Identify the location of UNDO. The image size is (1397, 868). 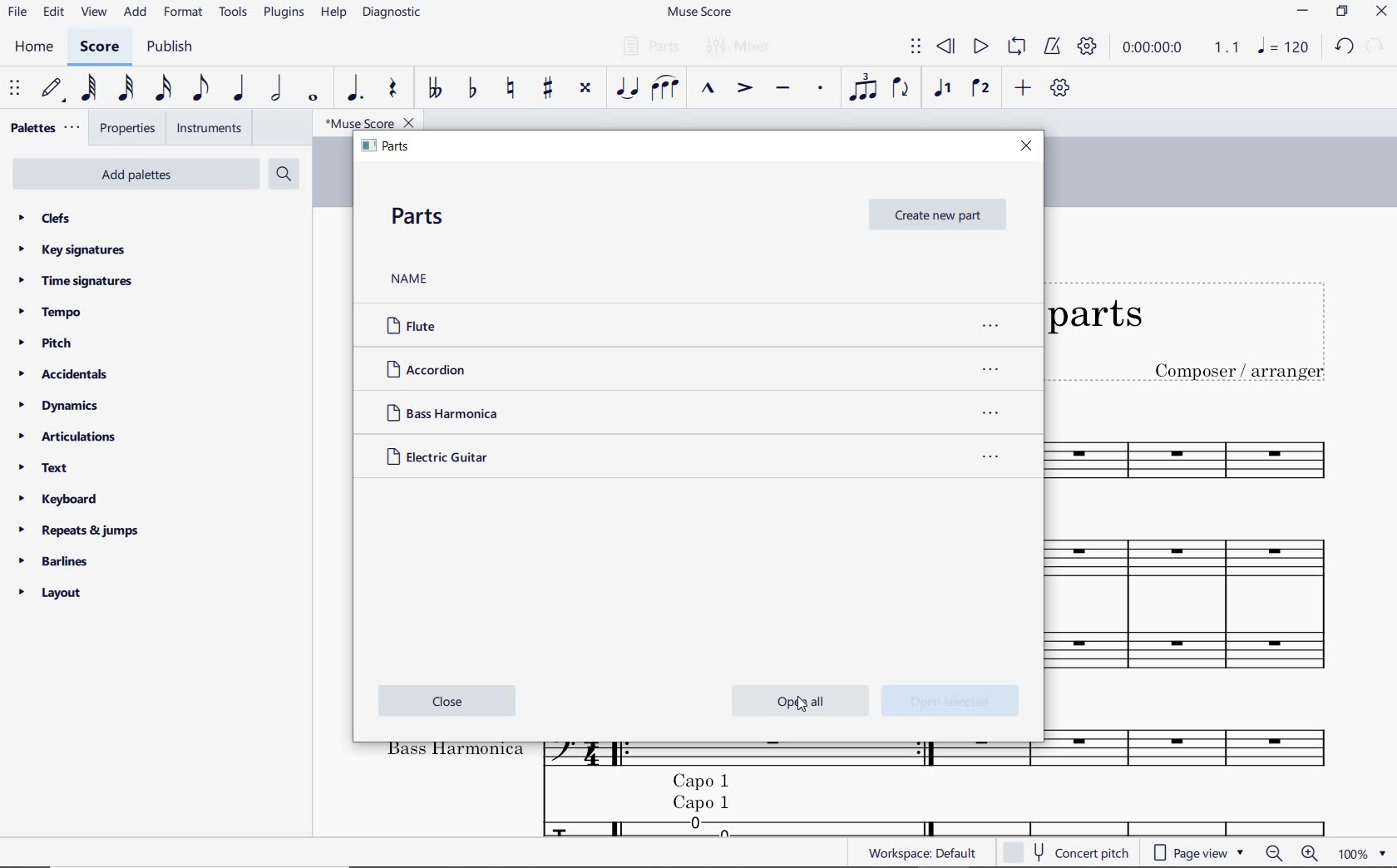
(1344, 48).